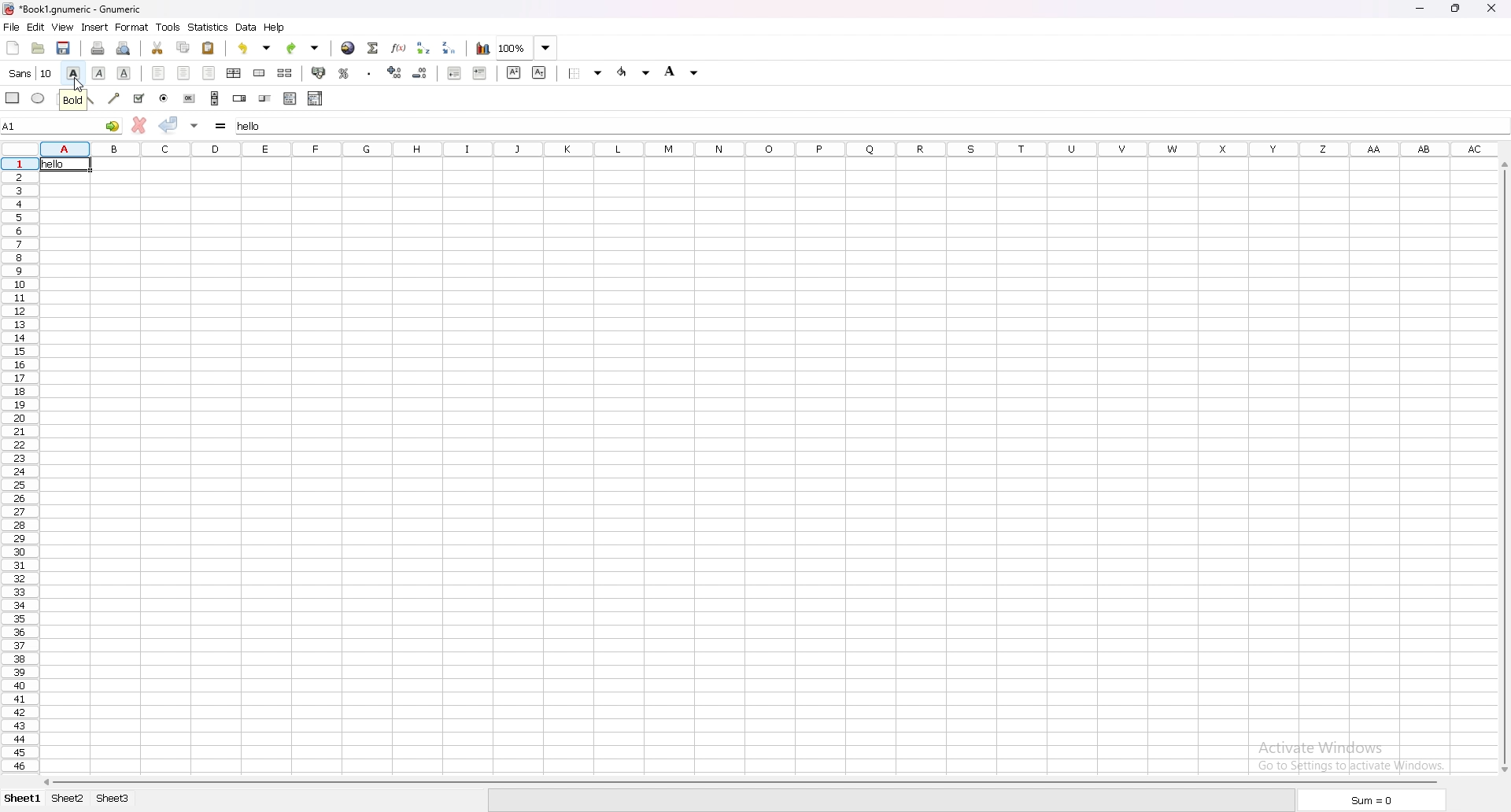  I want to click on sheet 1, so click(22, 799).